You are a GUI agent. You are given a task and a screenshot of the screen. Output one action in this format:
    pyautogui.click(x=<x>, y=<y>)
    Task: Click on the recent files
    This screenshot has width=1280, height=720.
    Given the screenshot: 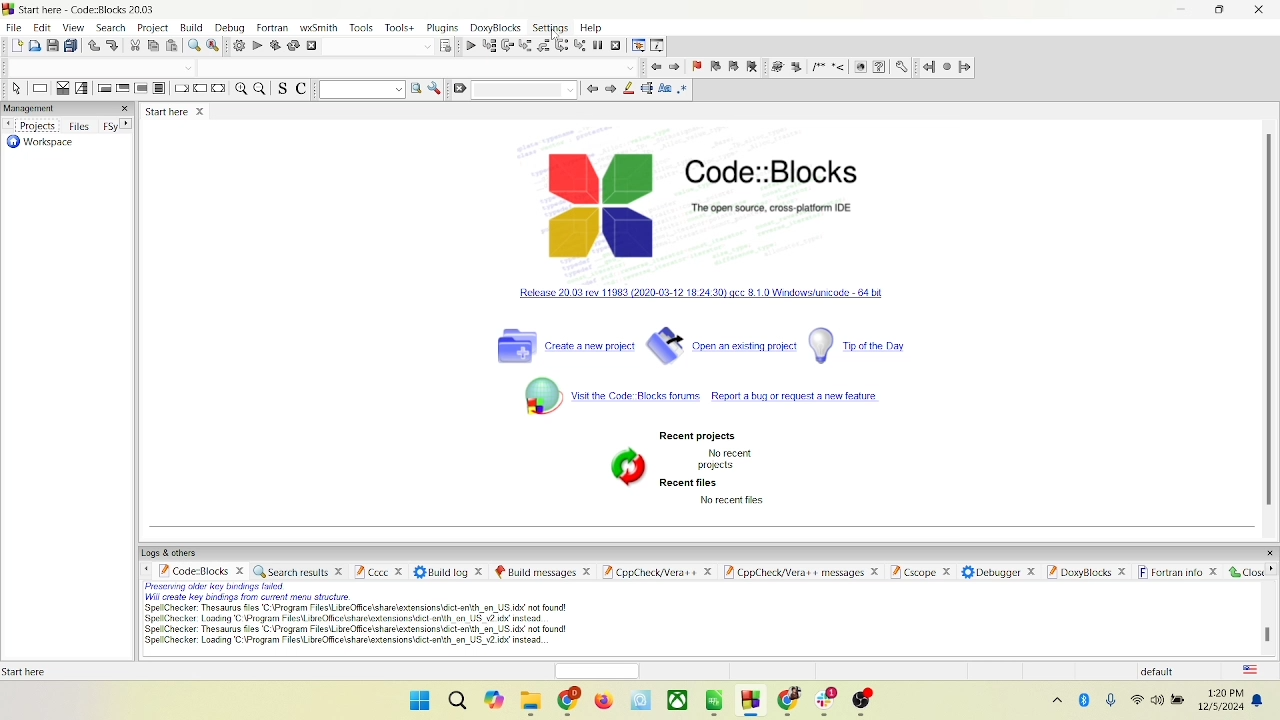 What is the action you would take?
    pyautogui.click(x=690, y=483)
    